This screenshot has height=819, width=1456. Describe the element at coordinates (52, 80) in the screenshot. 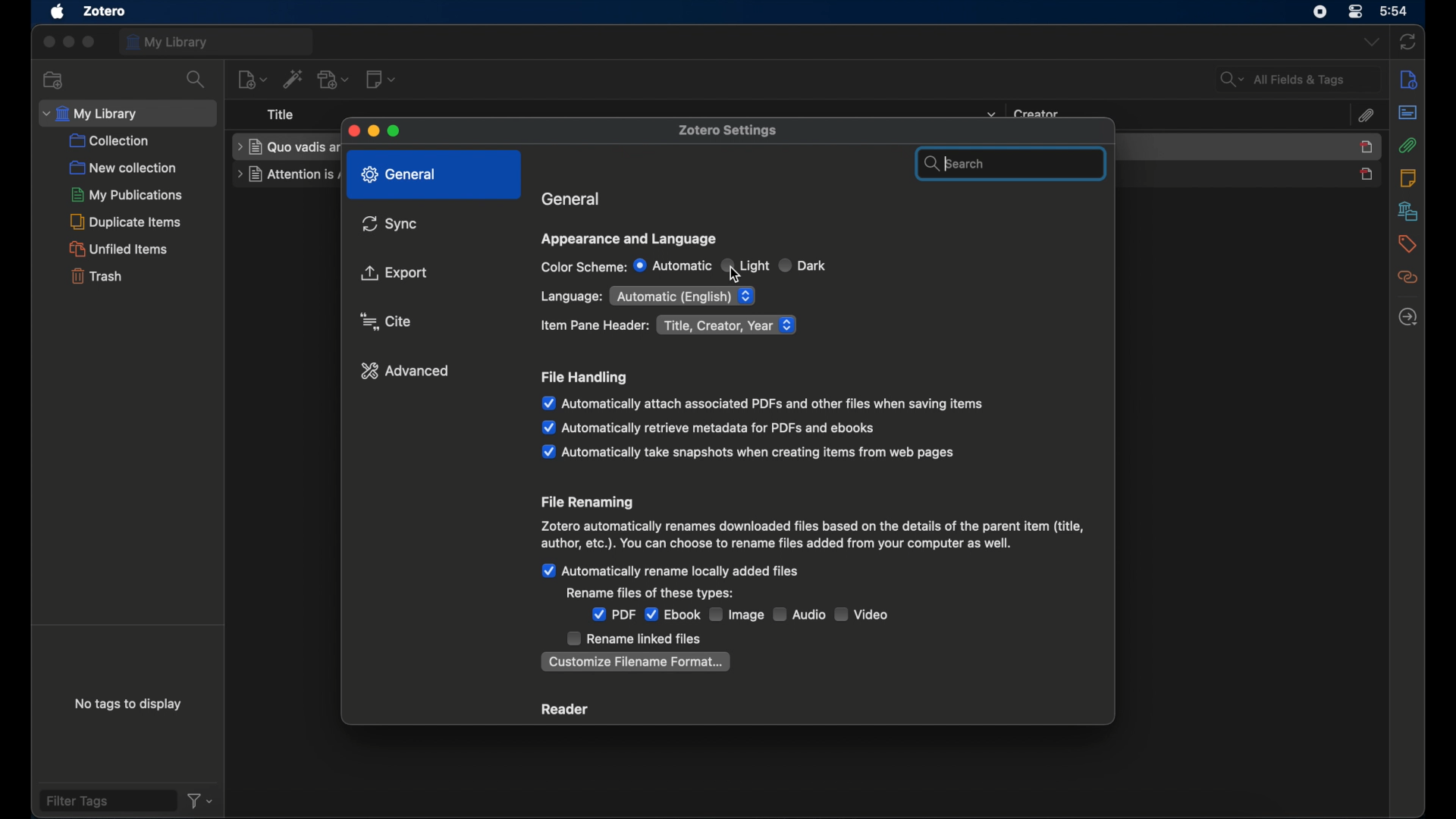

I see `new collection` at that location.